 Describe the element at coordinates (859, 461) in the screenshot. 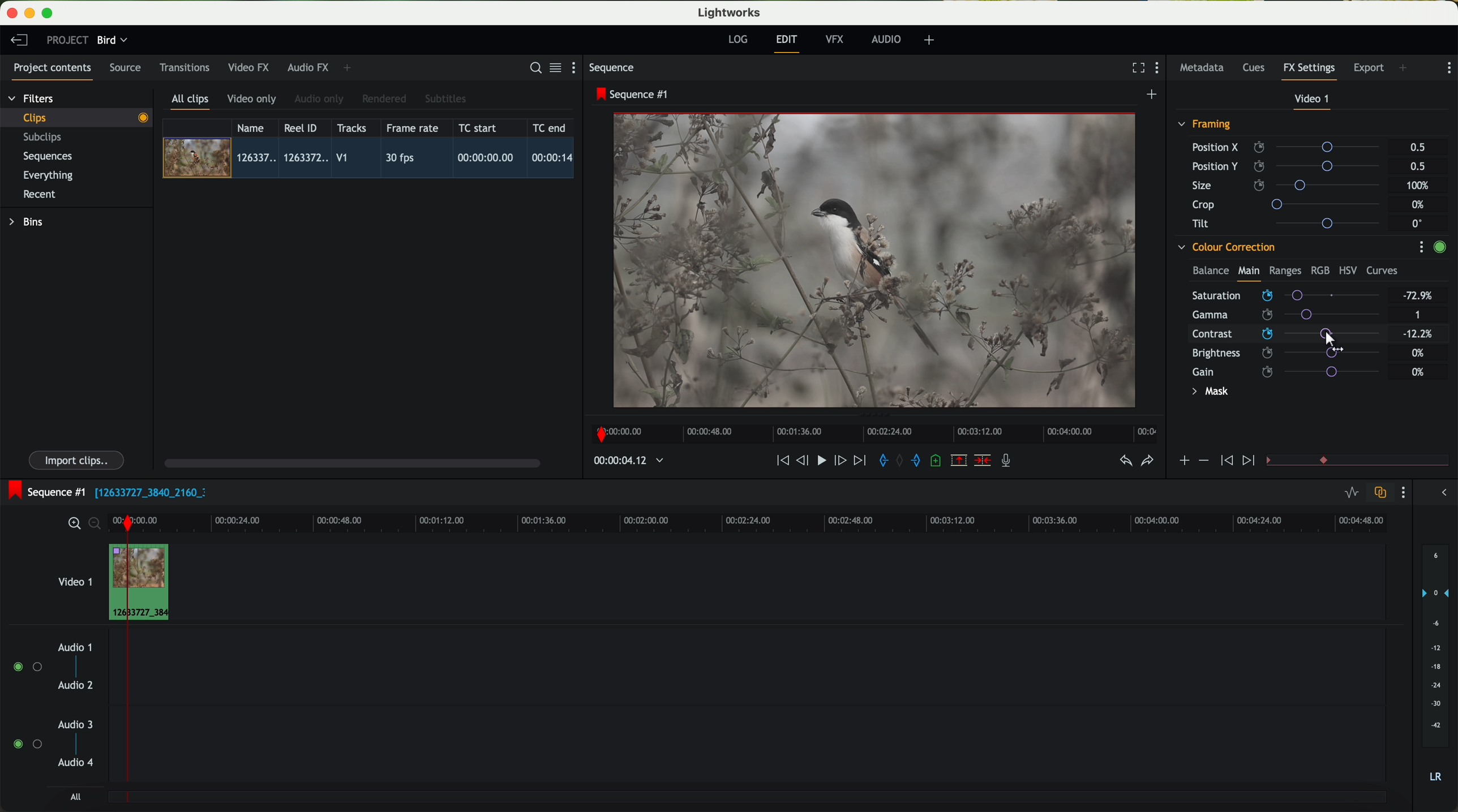

I see `move foward` at that location.